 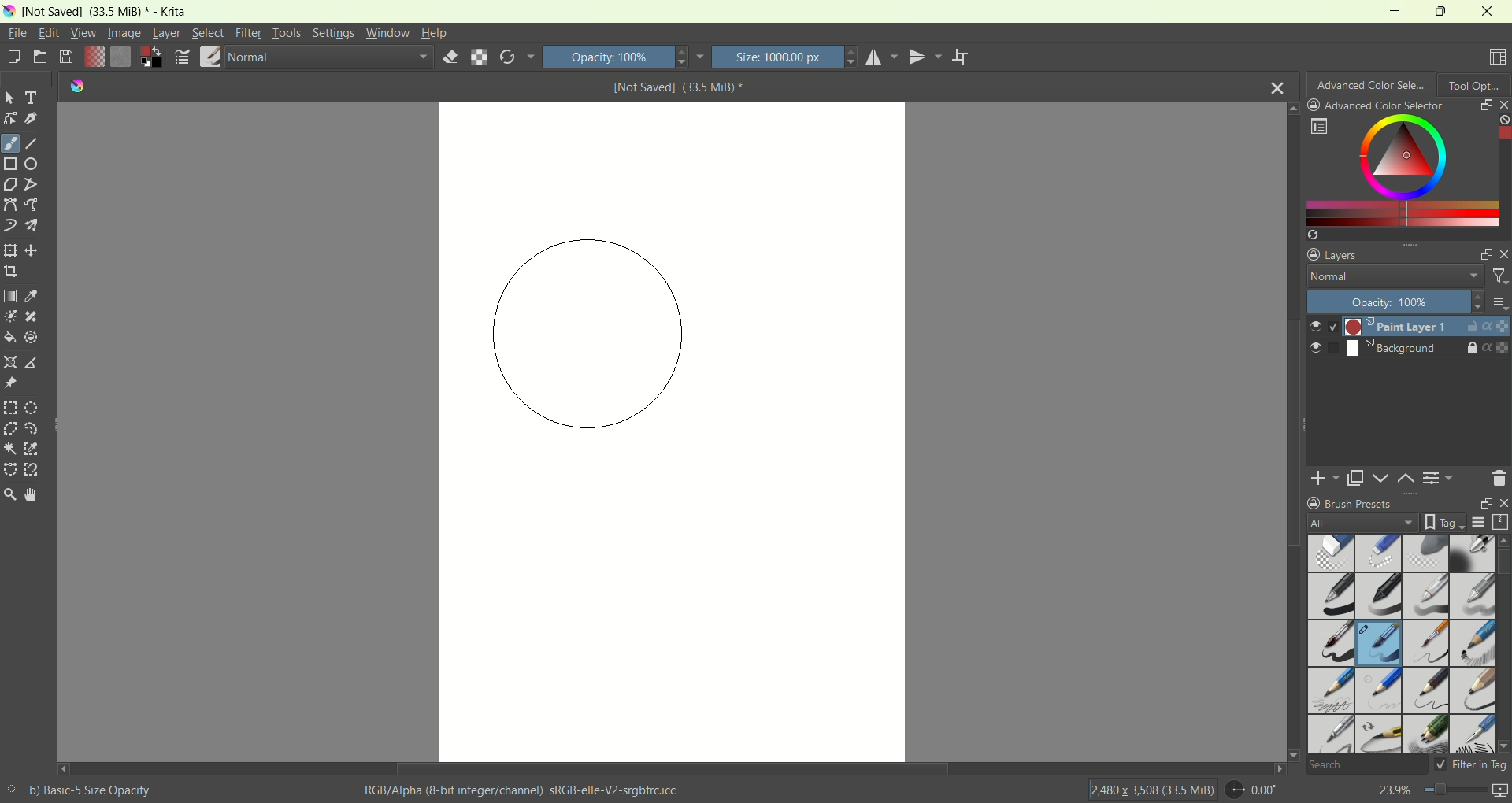 What do you see at coordinates (11, 316) in the screenshot?
I see `colorize mask tool` at bounding box center [11, 316].